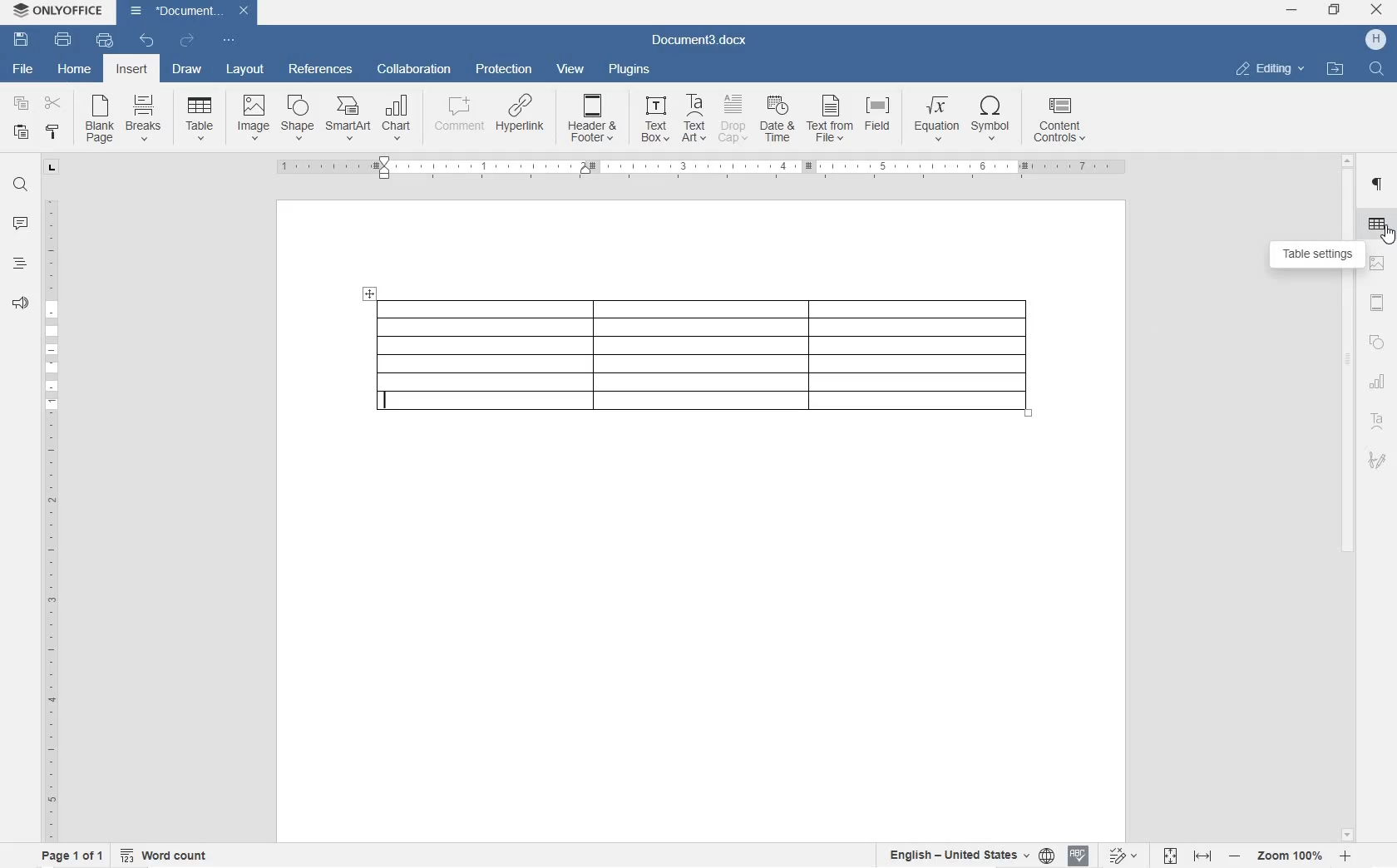  I want to click on REFERENCES, so click(321, 71).